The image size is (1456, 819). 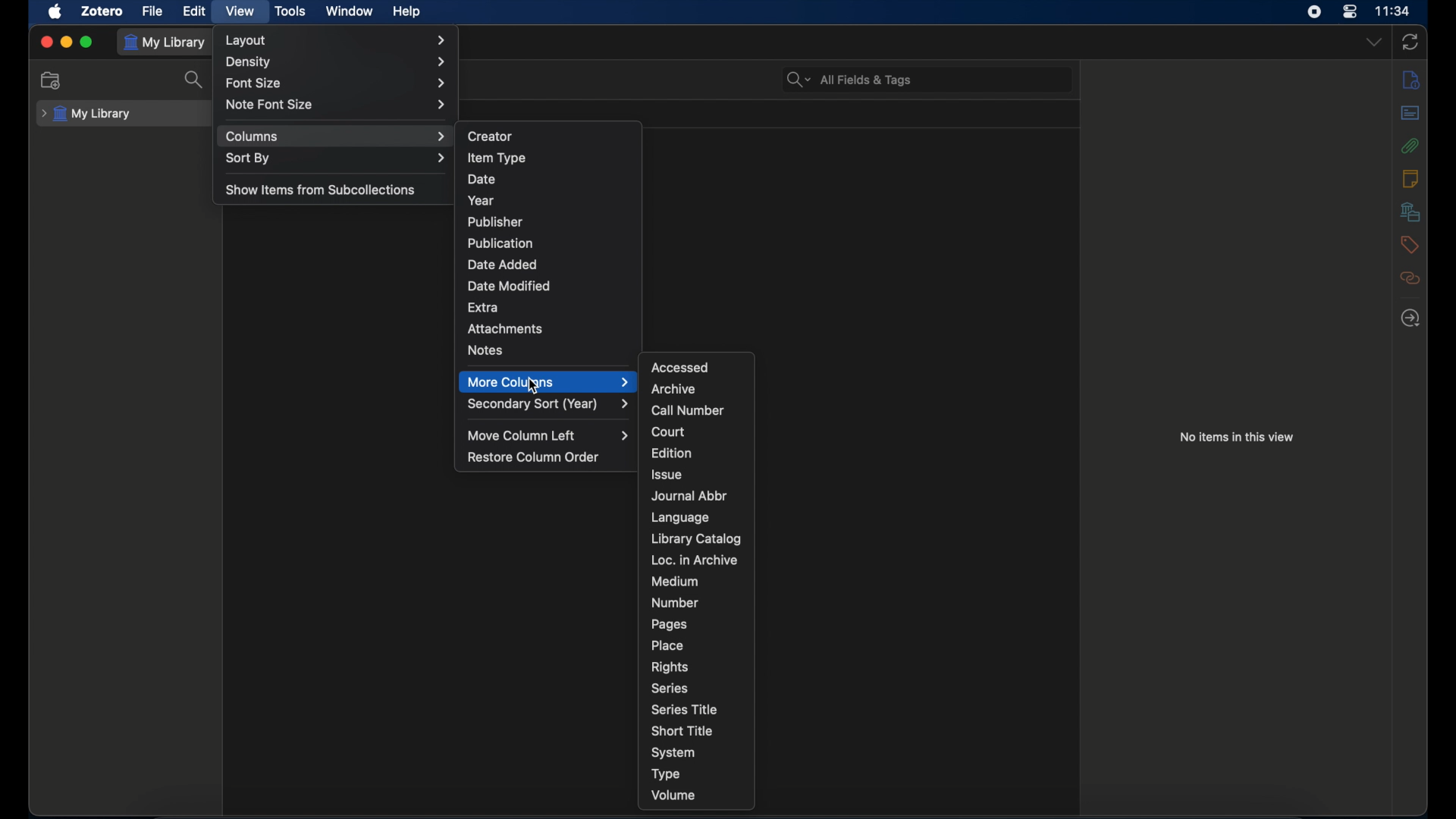 What do you see at coordinates (675, 603) in the screenshot?
I see `number` at bounding box center [675, 603].